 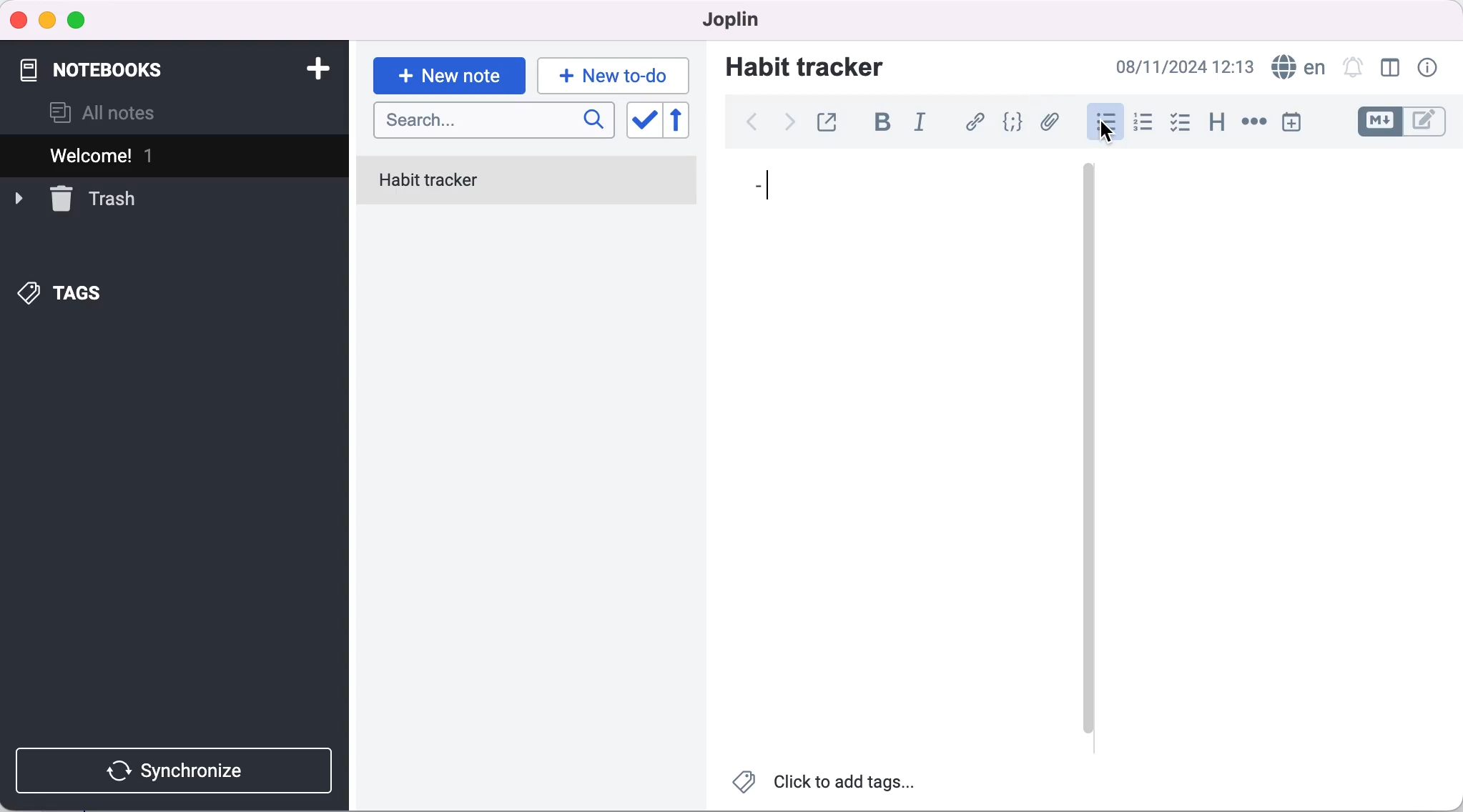 I want to click on code, so click(x=1015, y=122).